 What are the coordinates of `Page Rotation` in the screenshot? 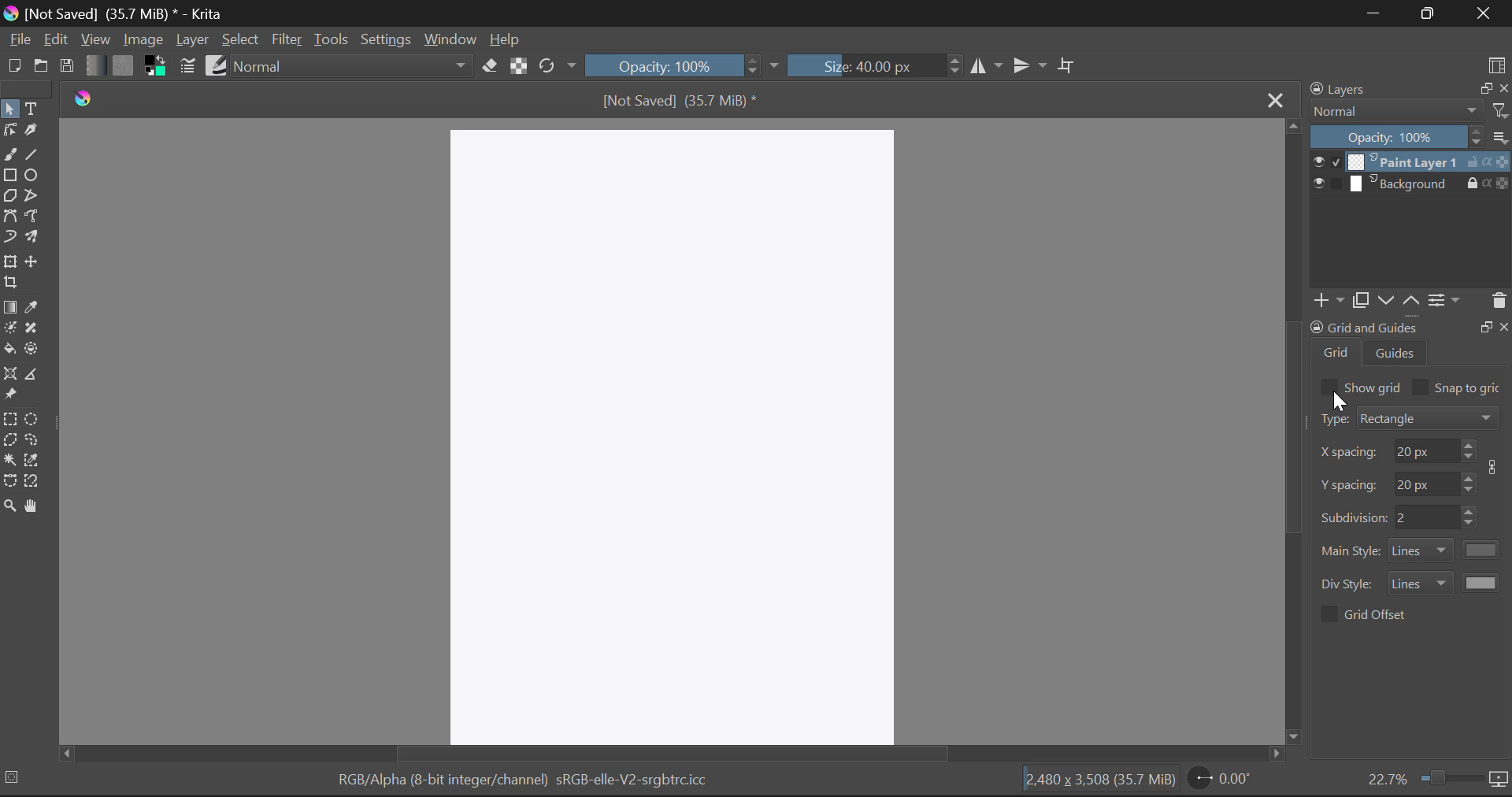 It's located at (1223, 779).